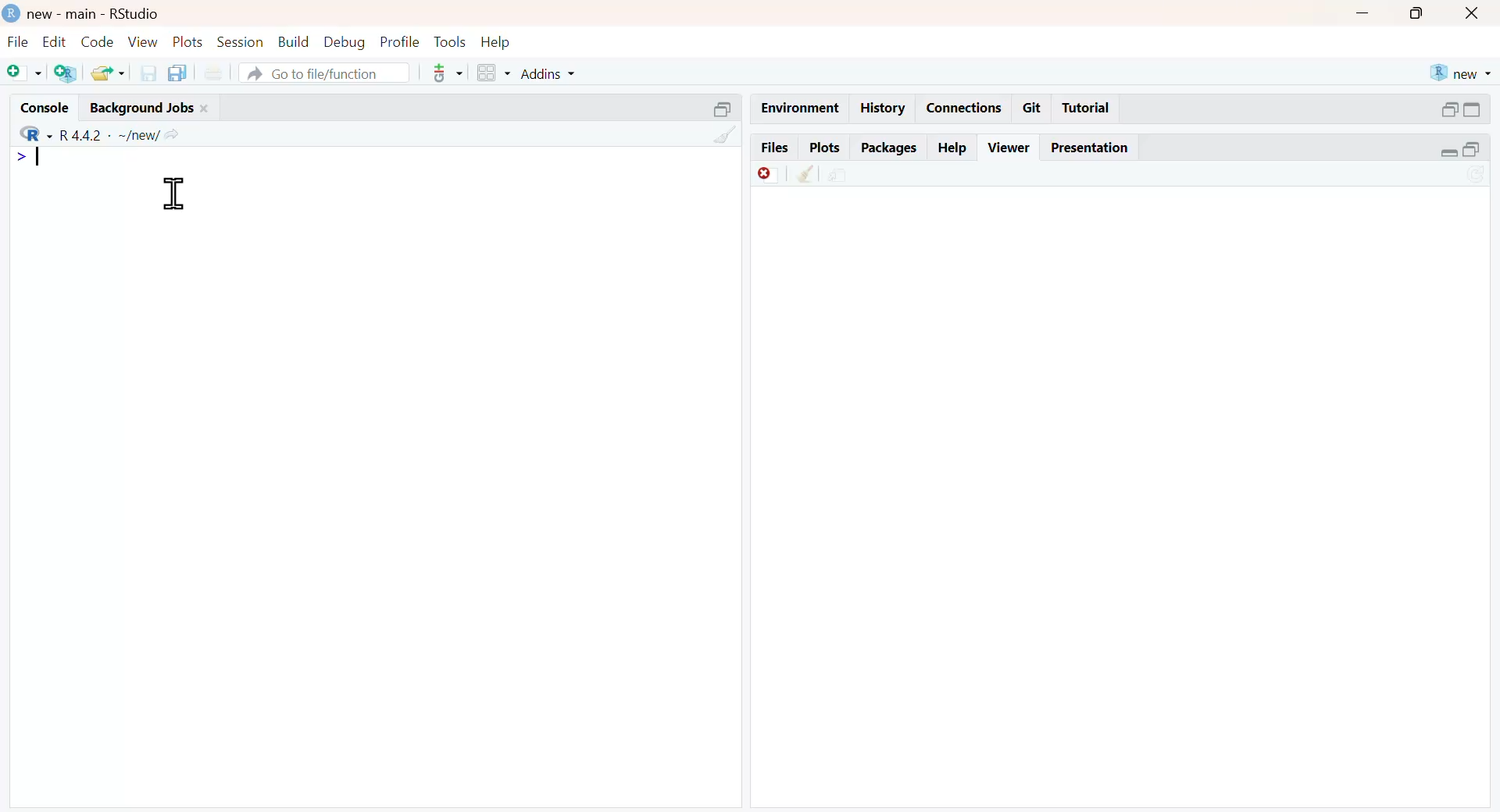 The height and width of the screenshot is (812, 1500). I want to click on copy, so click(177, 73).